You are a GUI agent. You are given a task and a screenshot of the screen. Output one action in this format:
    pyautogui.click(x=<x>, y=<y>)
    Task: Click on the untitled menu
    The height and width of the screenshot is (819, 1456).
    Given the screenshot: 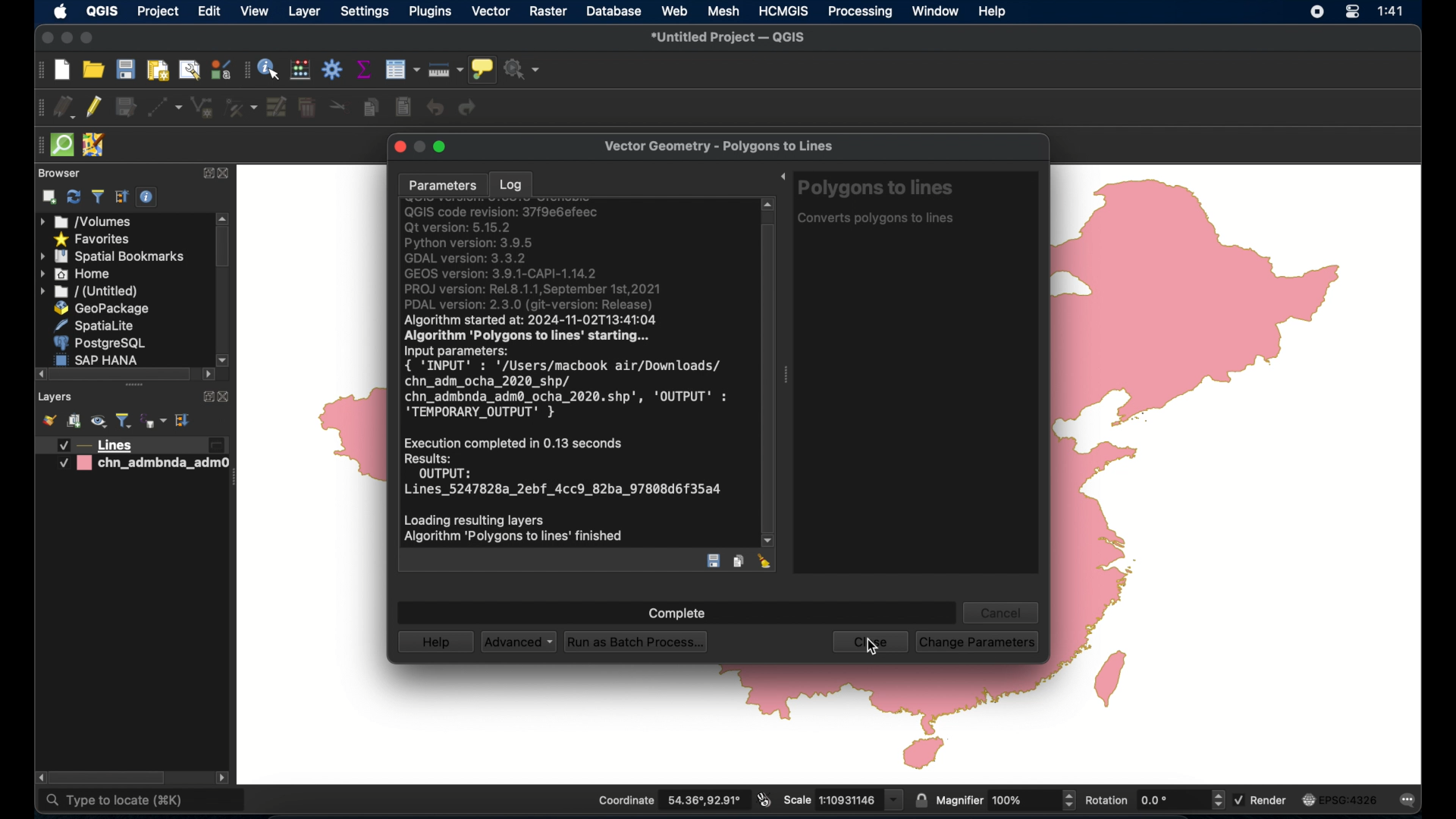 What is the action you would take?
    pyautogui.click(x=89, y=292)
    